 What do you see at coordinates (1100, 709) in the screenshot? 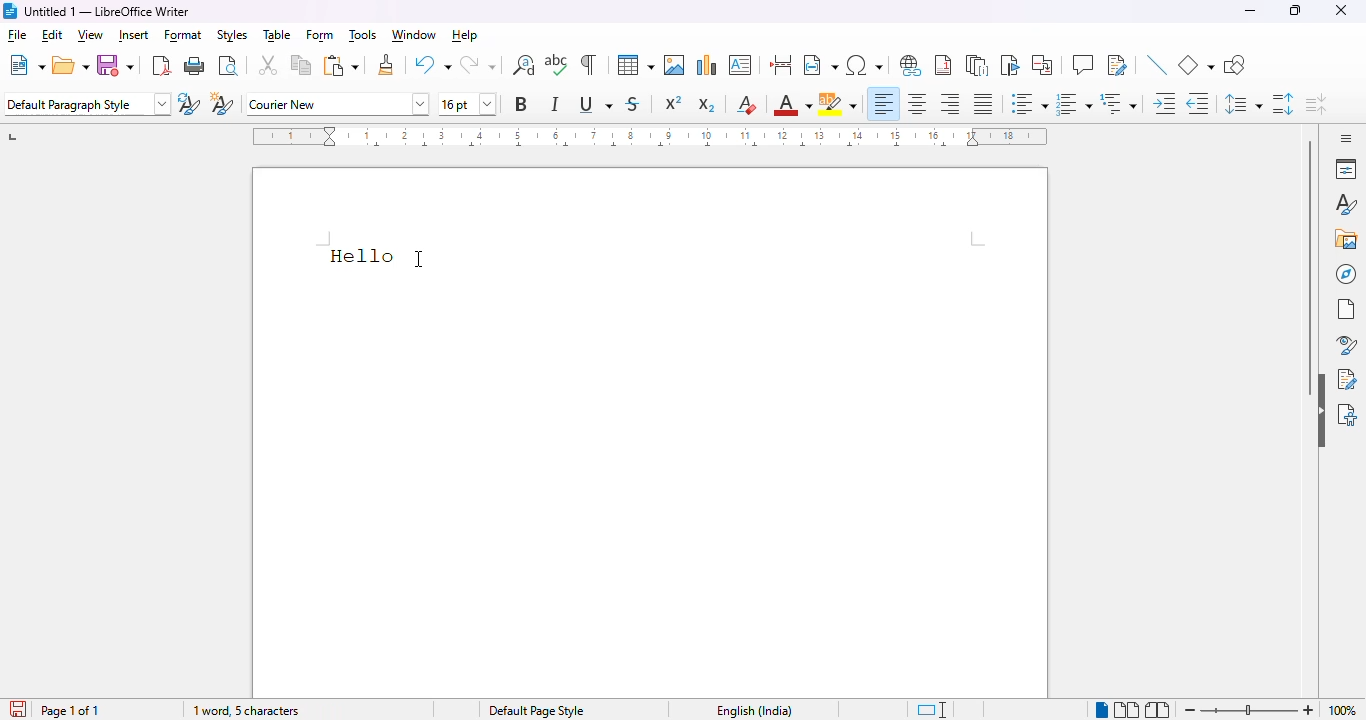
I see `single-page view` at bounding box center [1100, 709].